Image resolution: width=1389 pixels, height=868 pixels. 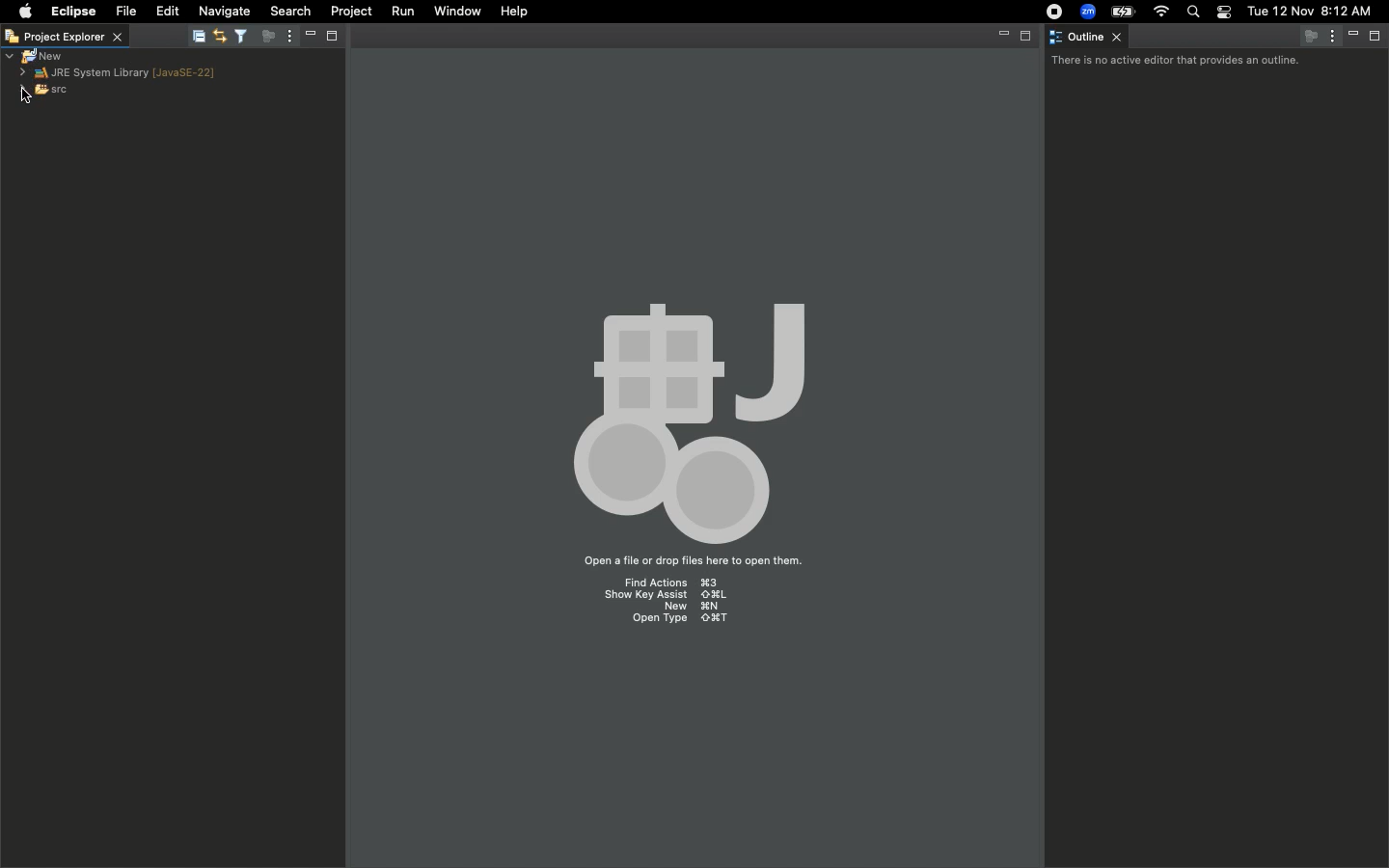 I want to click on Open type, so click(x=680, y=621).